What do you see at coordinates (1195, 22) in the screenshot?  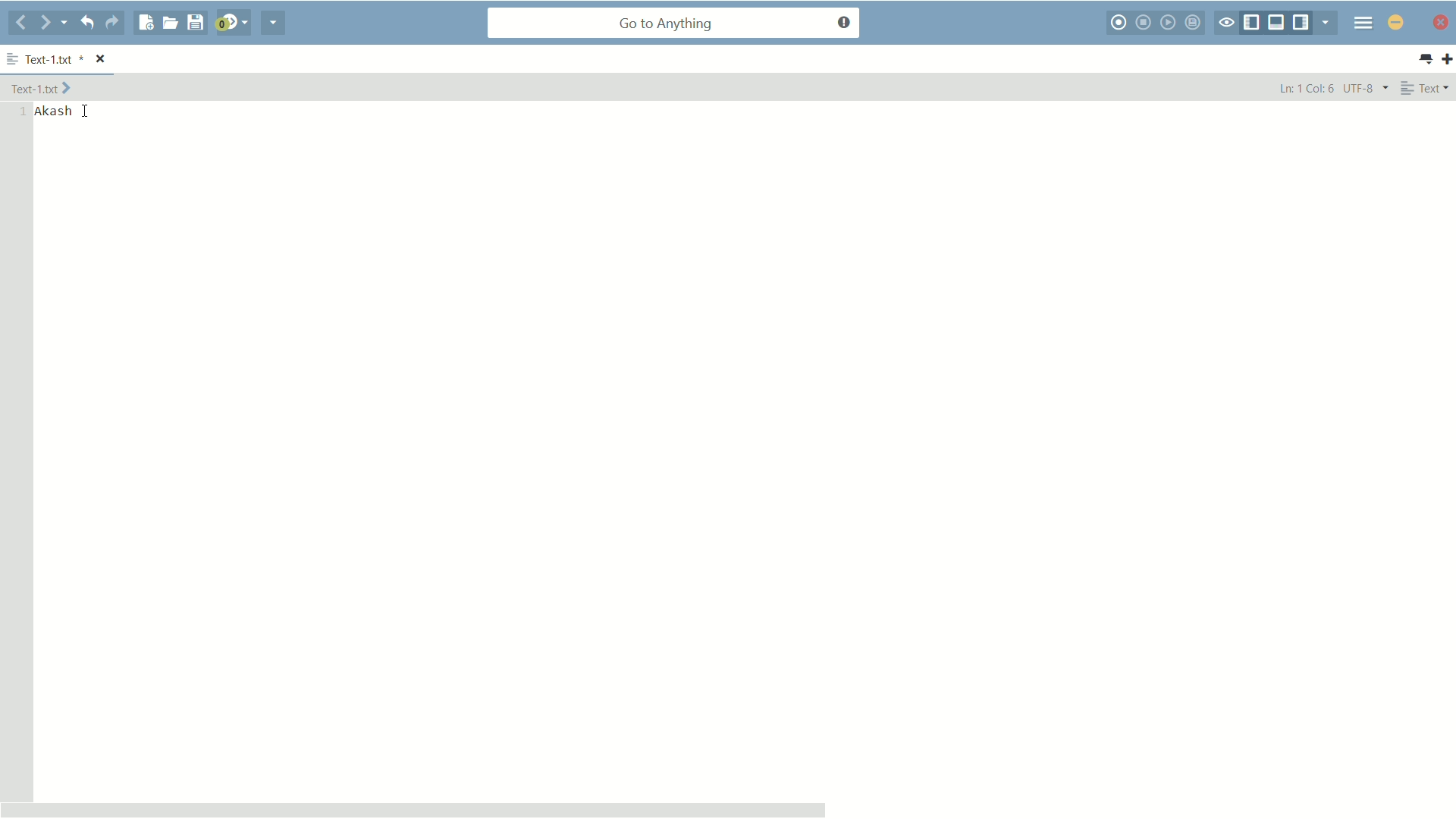 I see `save macro to toolbox` at bounding box center [1195, 22].